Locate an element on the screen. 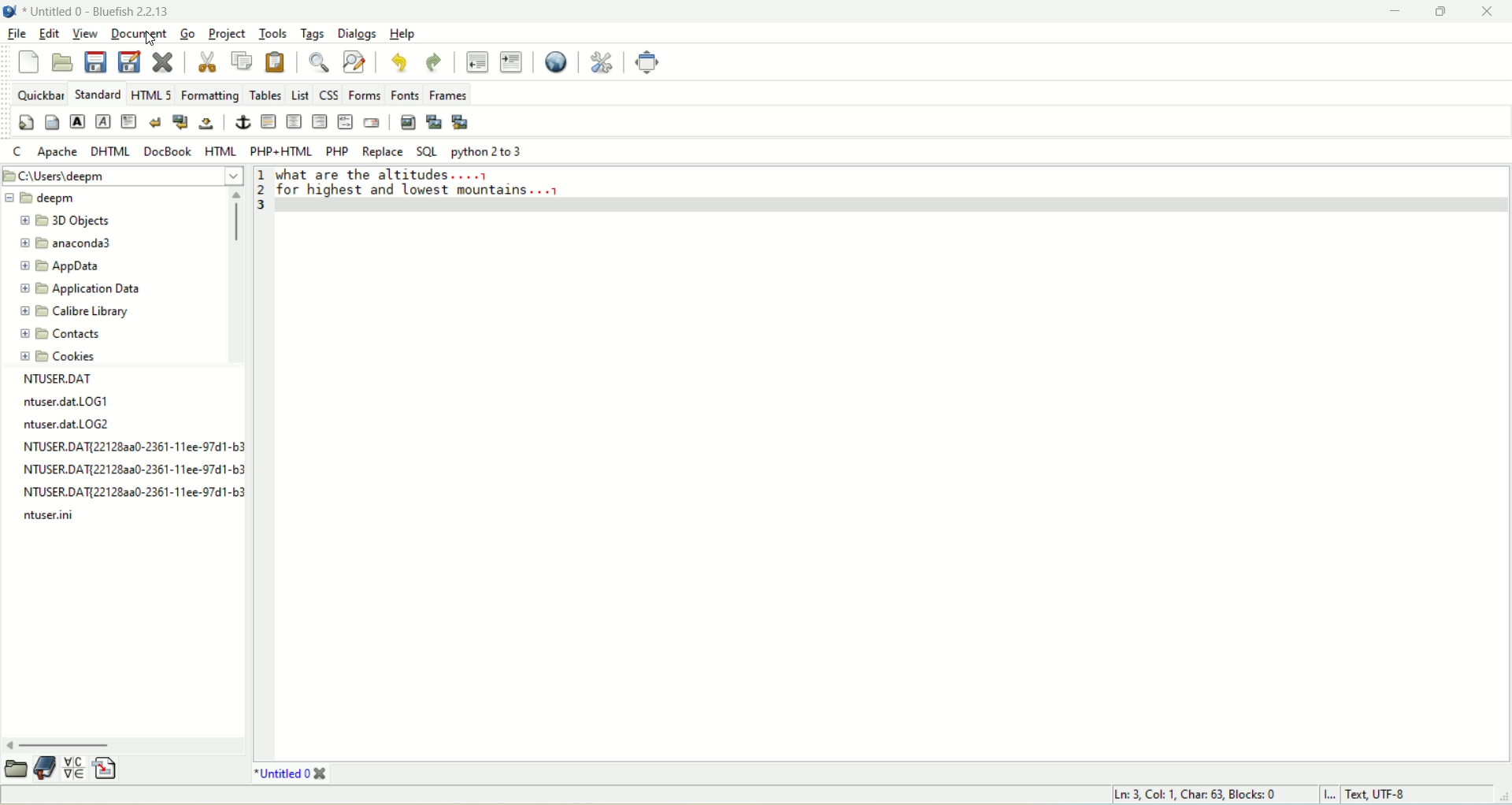  insert special character is located at coordinates (76, 769).